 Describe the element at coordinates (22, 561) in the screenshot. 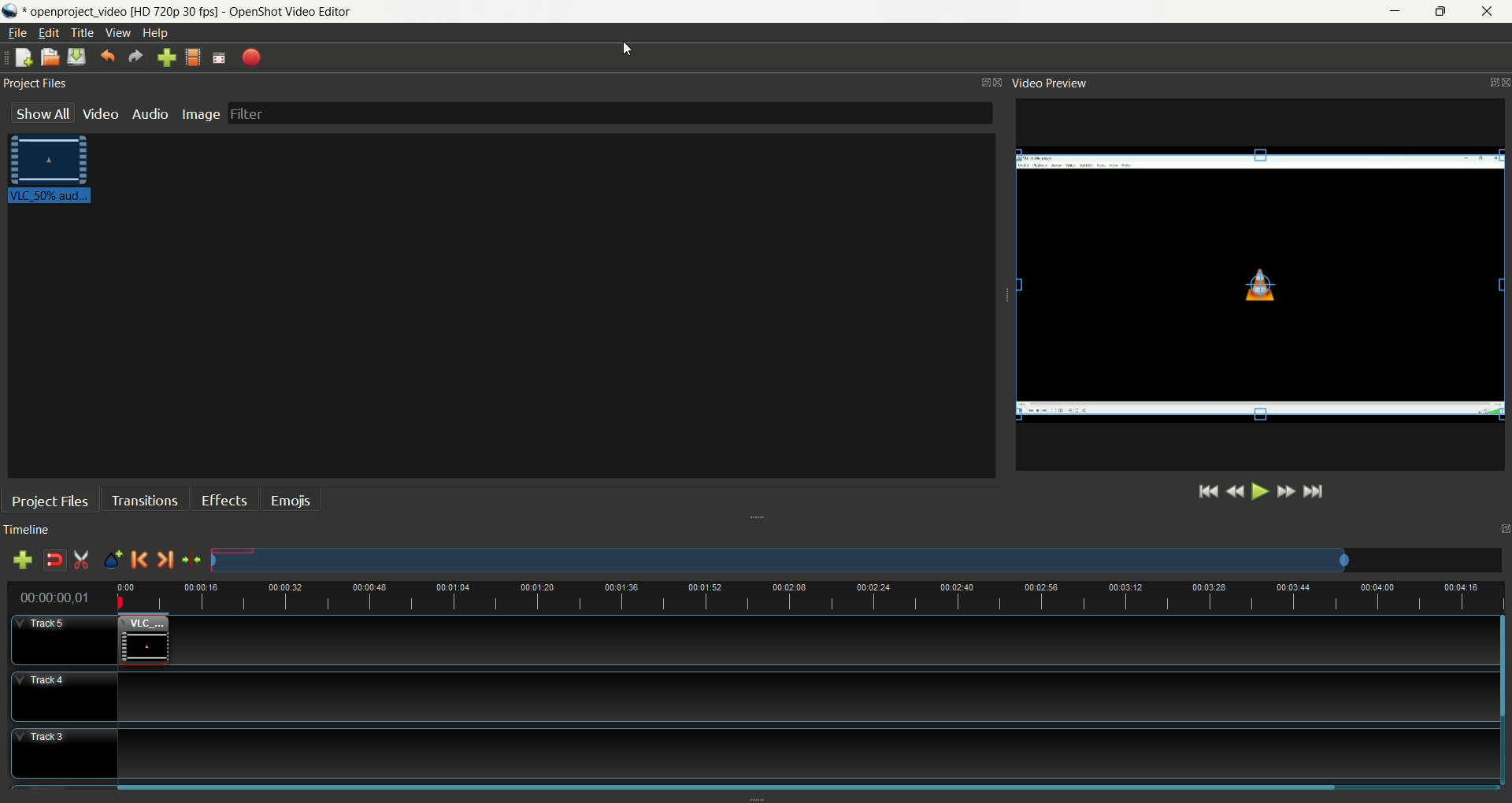

I see `add track` at that location.